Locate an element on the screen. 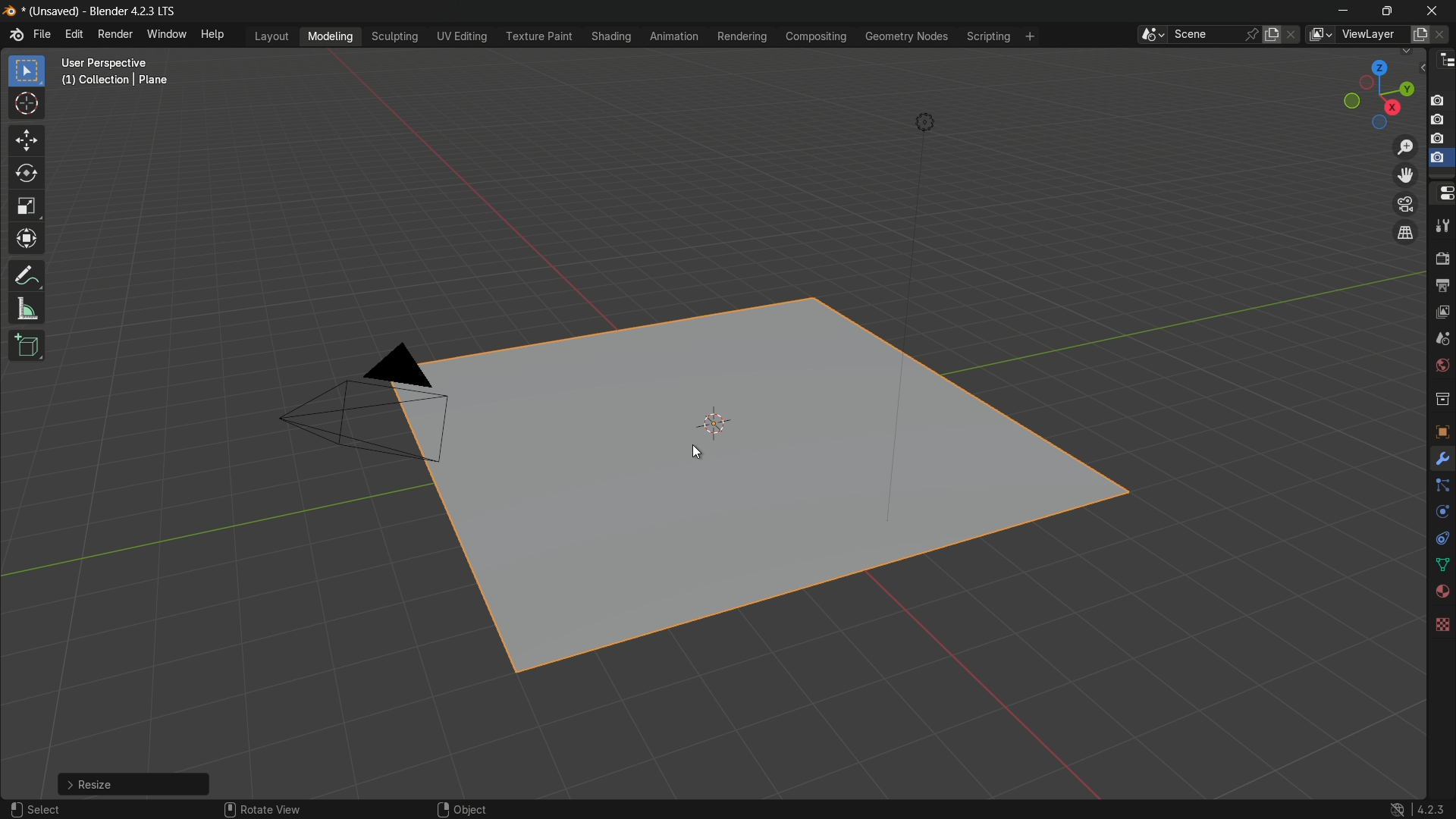  scene is located at coordinates (1439, 338).